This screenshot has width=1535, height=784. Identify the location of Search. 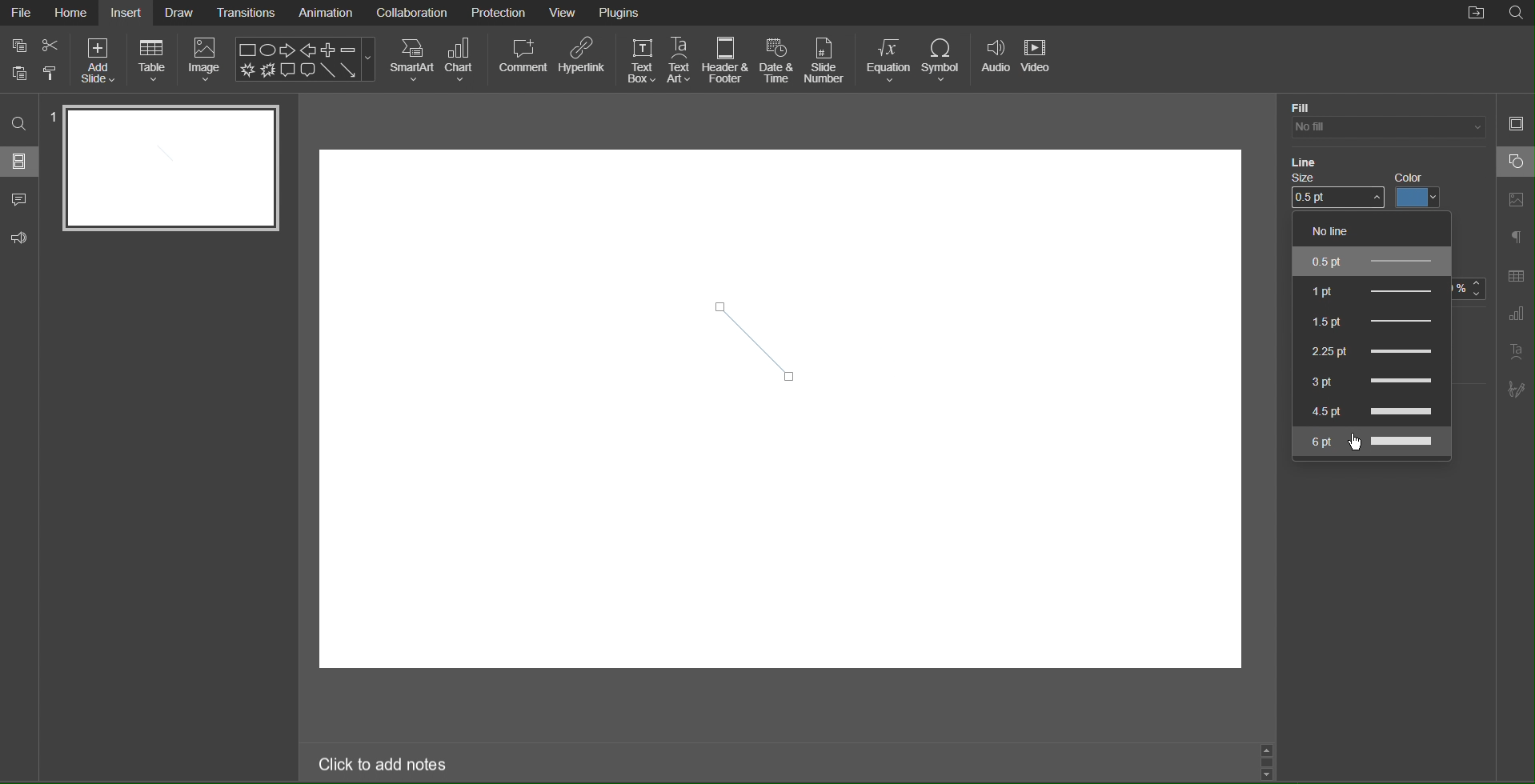
(20, 124).